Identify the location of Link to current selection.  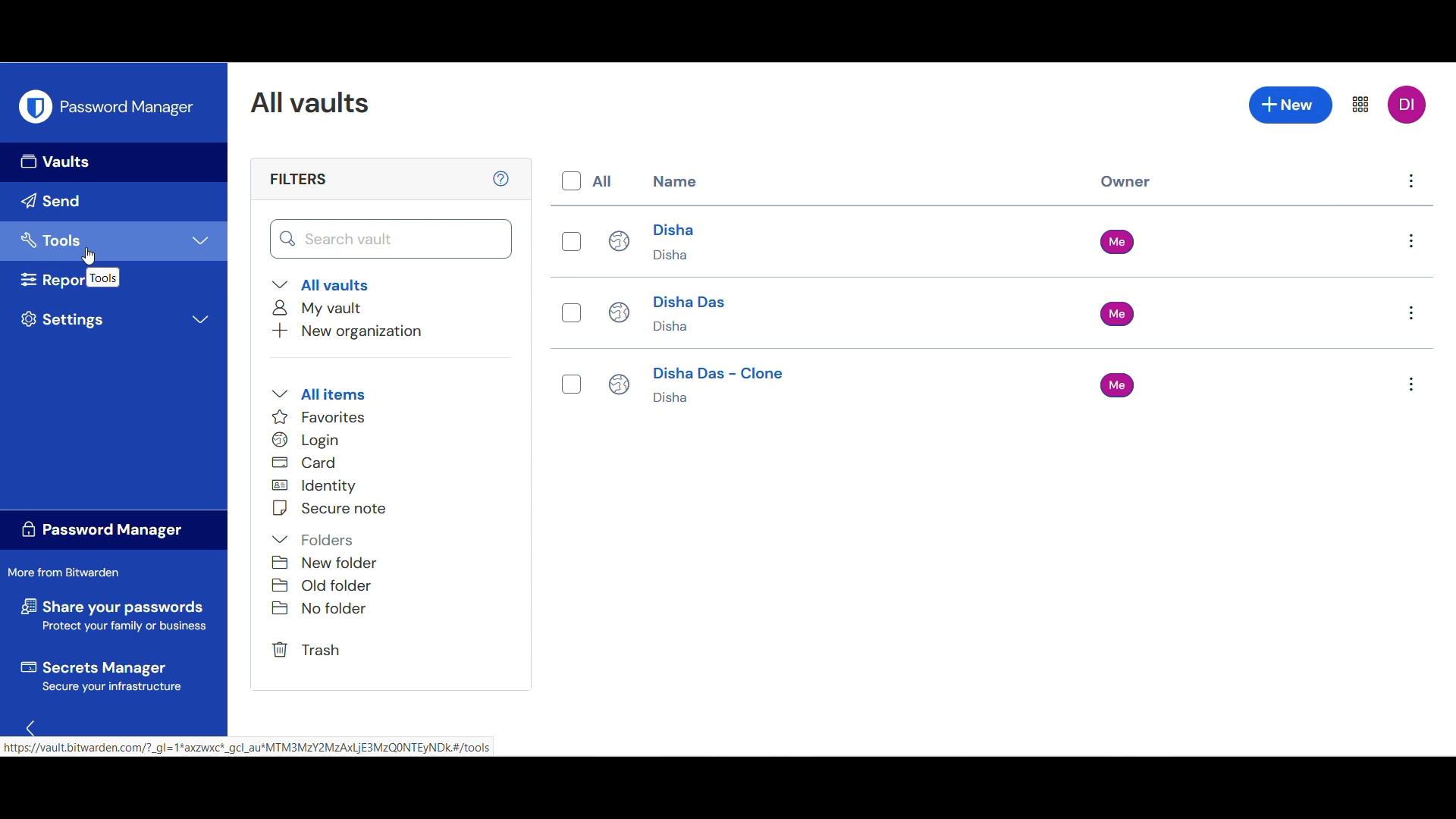
(249, 747).